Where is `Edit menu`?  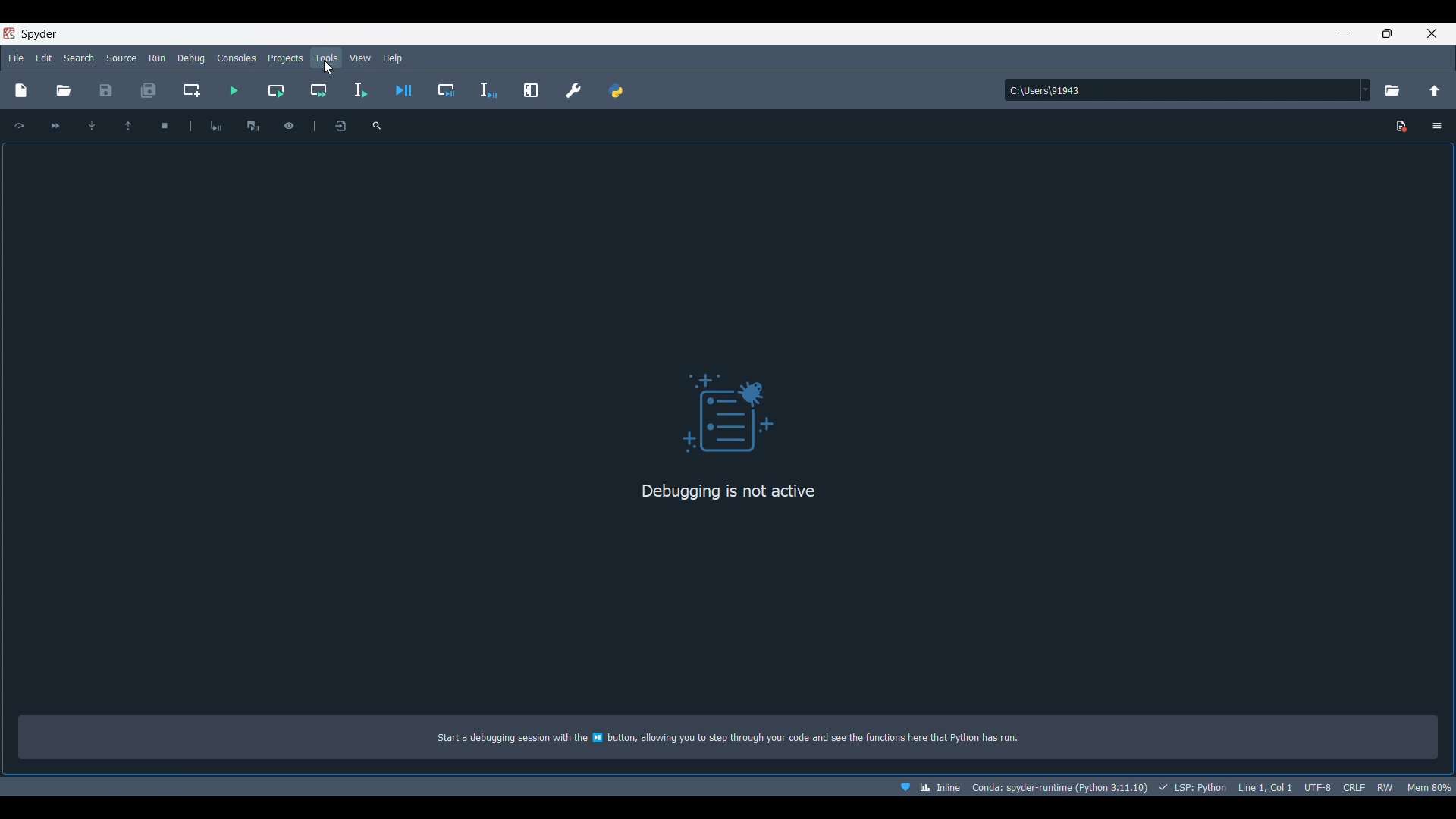
Edit menu is located at coordinates (45, 58).